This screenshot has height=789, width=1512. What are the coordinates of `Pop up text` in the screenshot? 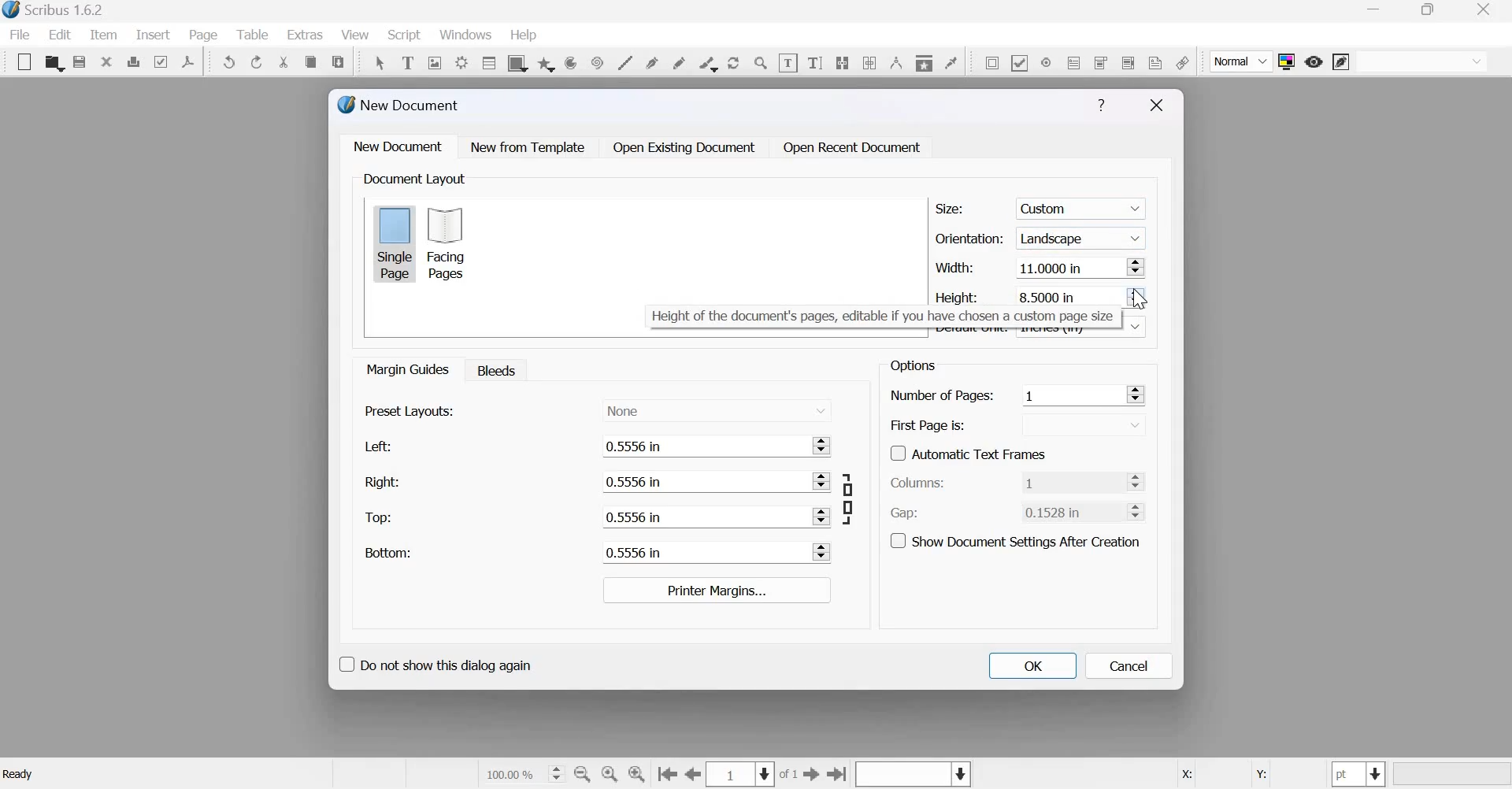 It's located at (879, 317).